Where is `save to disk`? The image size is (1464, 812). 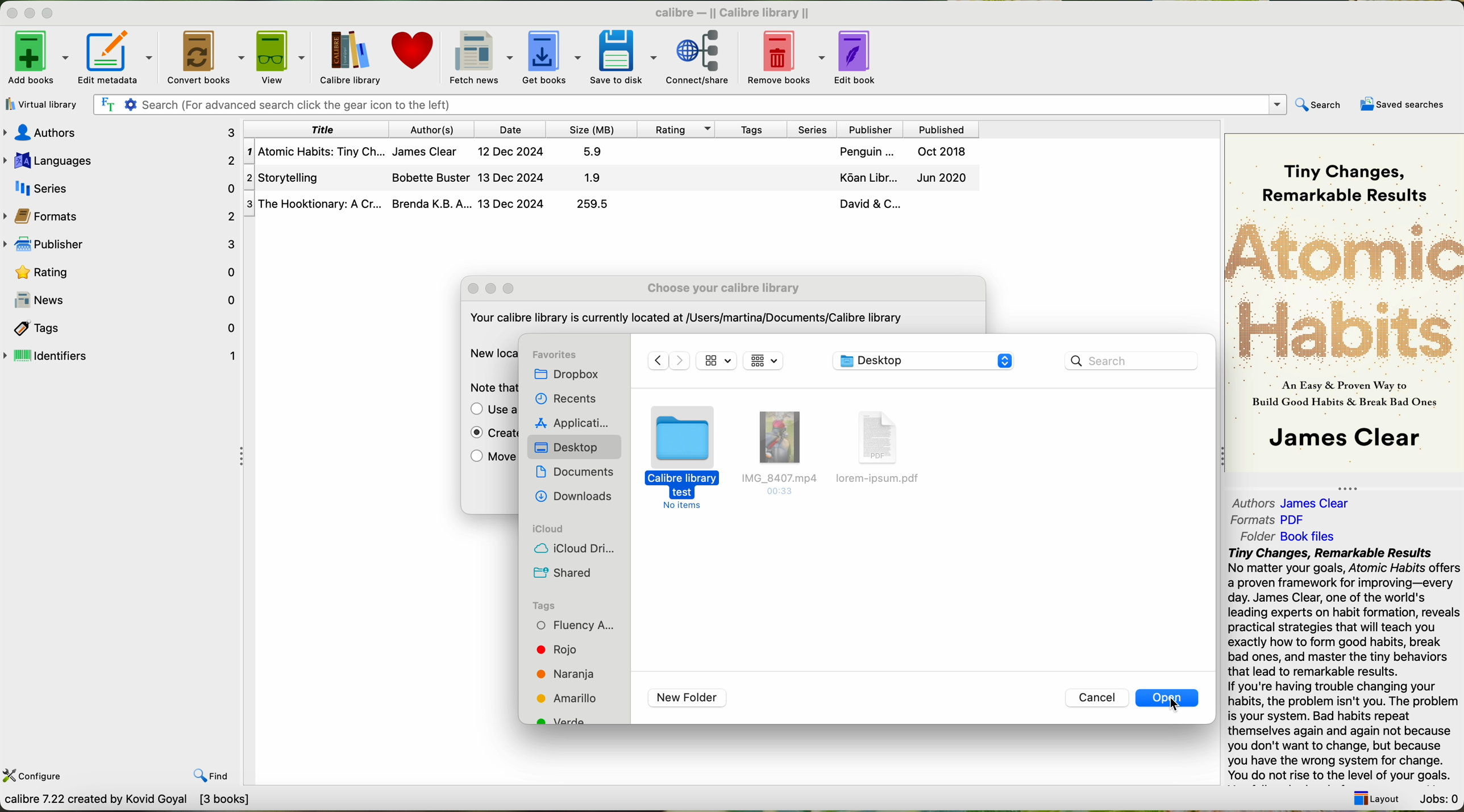 save to disk is located at coordinates (624, 56).